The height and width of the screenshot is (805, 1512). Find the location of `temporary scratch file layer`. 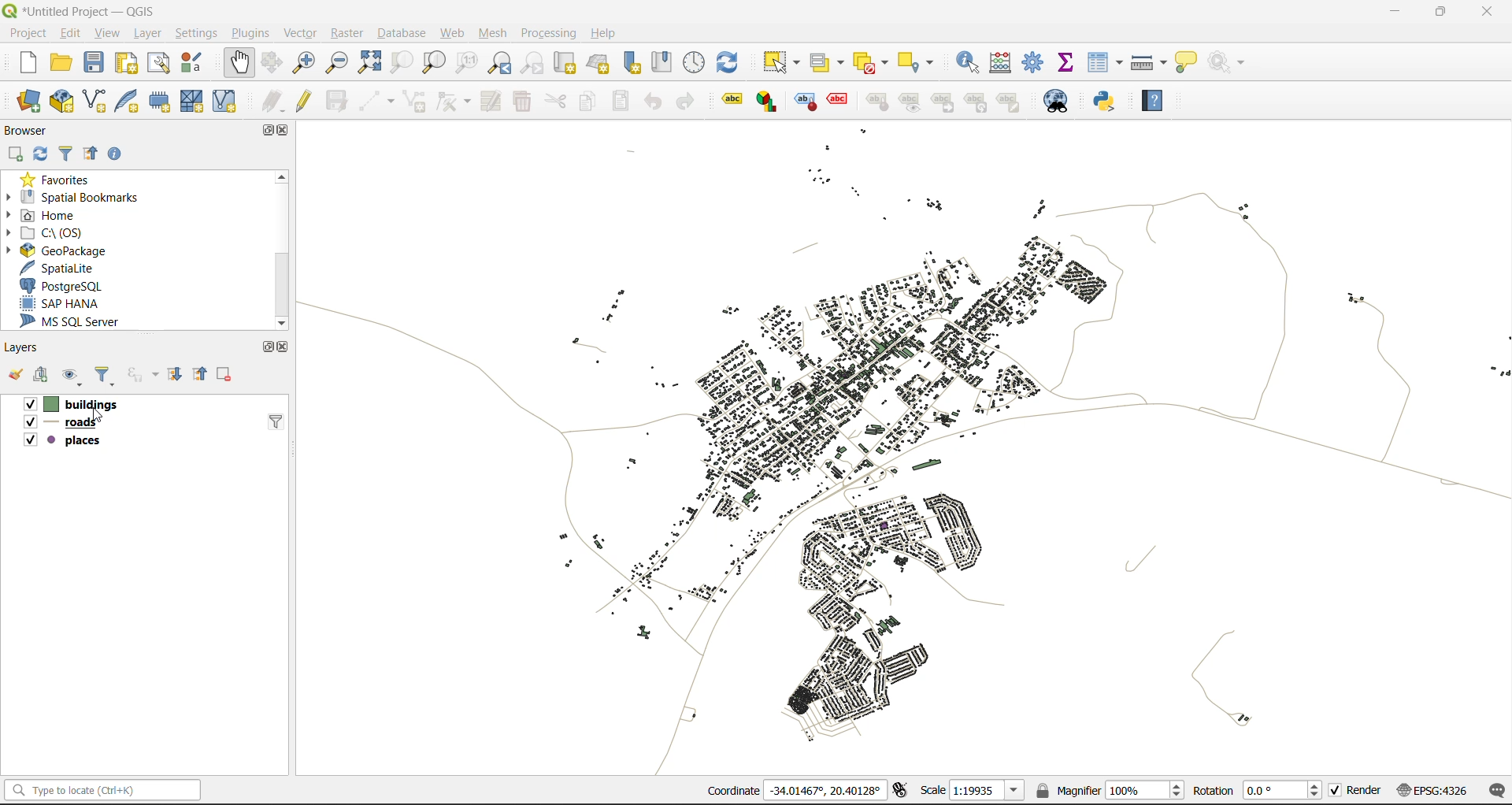

temporary scratch file layer is located at coordinates (165, 100).